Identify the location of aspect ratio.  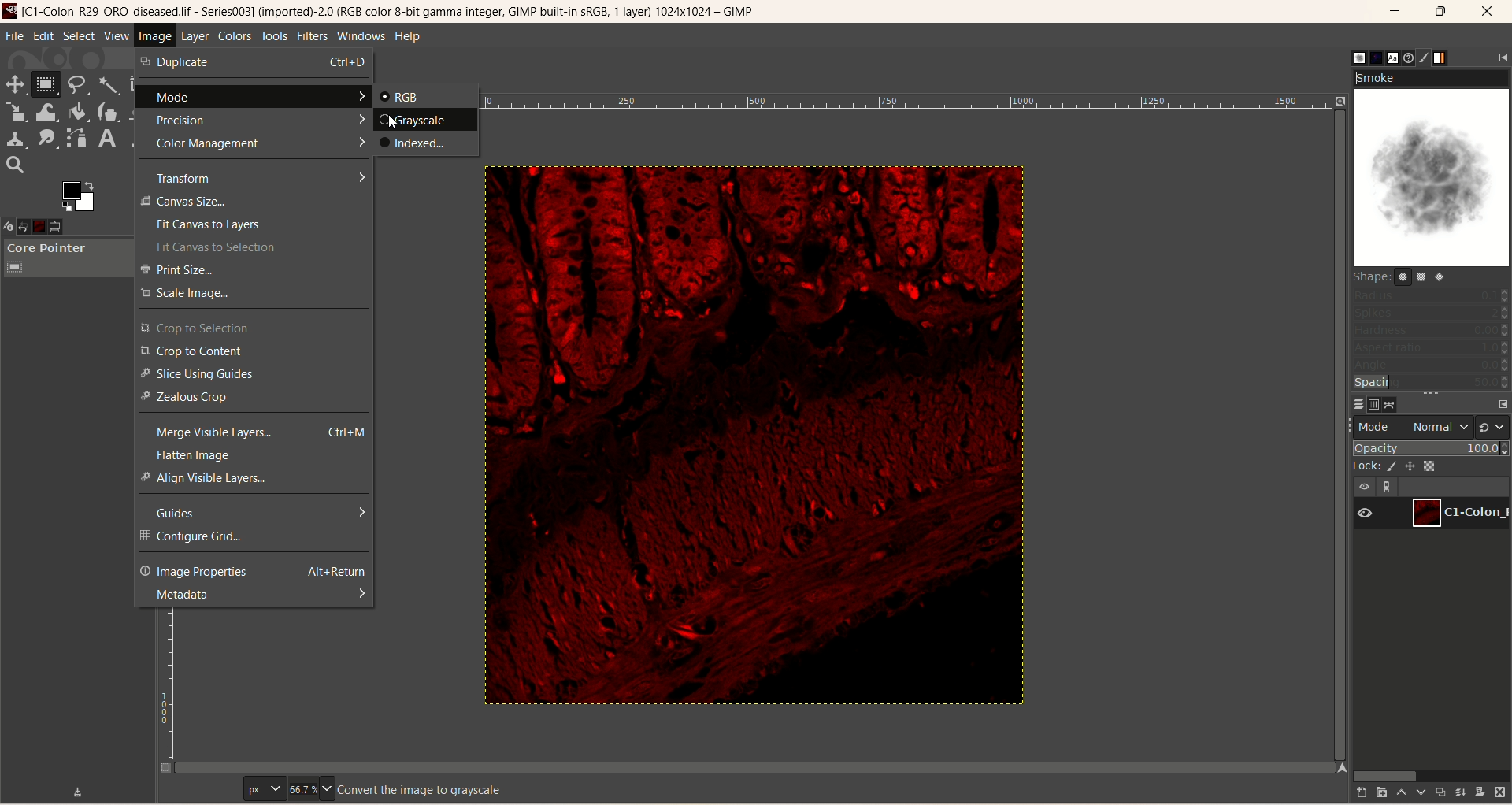
(1432, 347).